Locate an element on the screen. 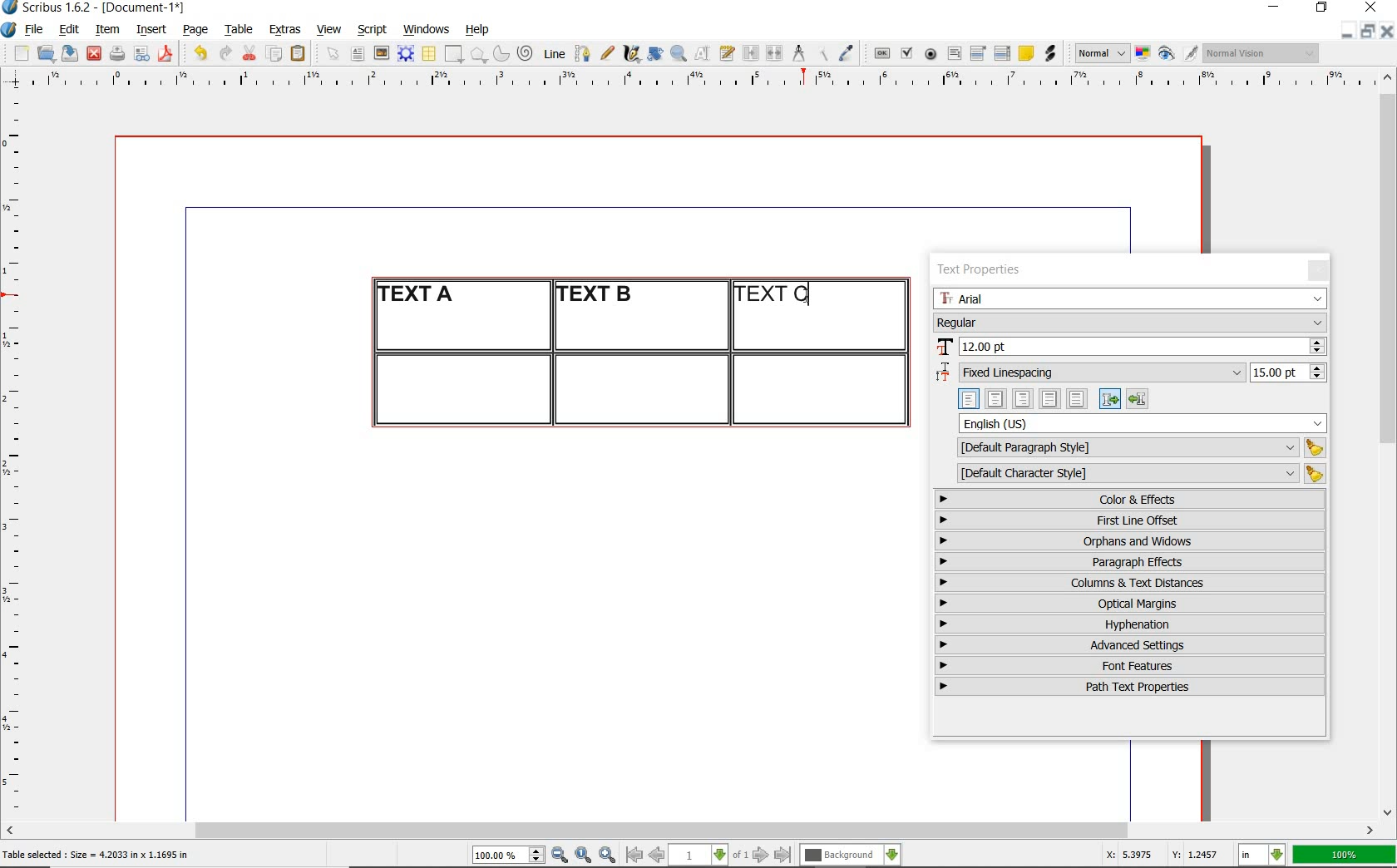 The image size is (1397, 868). rotate item is located at coordinates (655, 53).